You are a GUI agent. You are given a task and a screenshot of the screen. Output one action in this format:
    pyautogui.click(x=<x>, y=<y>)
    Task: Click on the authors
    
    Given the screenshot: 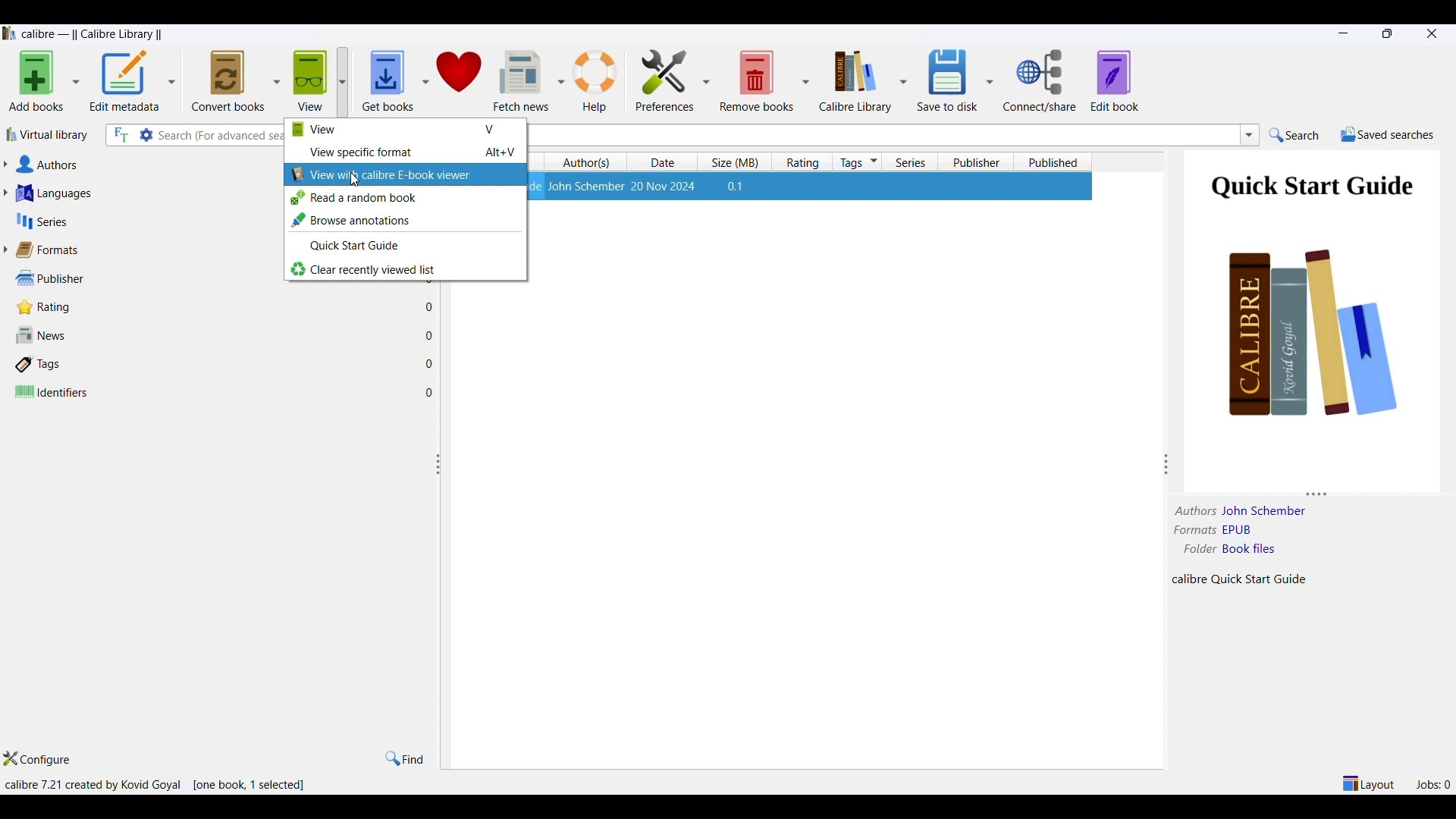 What is the action you would take?
    pyautogui.click(x=1191, y=510)
    